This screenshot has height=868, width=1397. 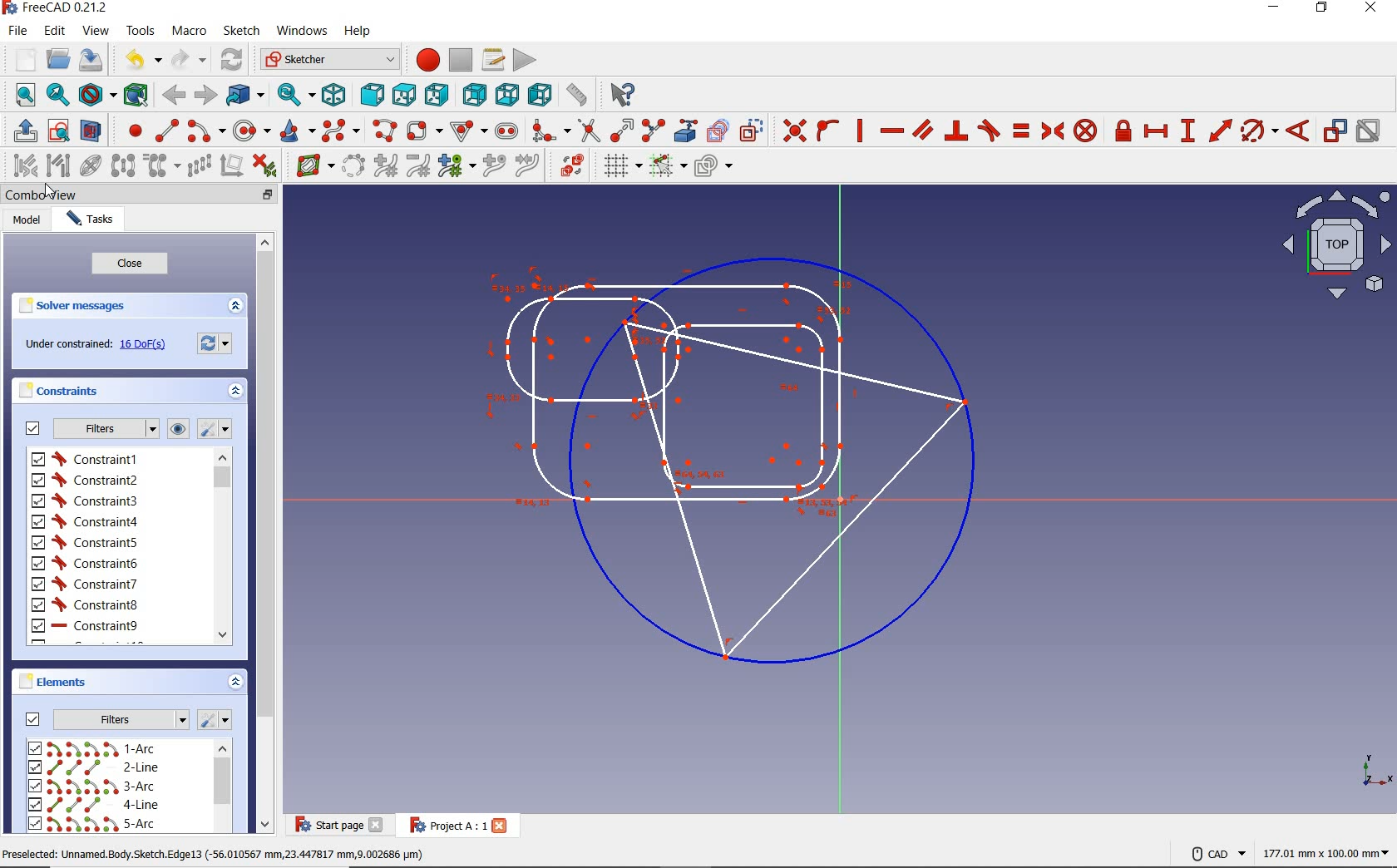 What do you see at coordinates (423, 130) in the screenshot?
I see `create rectangle` at bounding box center [423, 130].